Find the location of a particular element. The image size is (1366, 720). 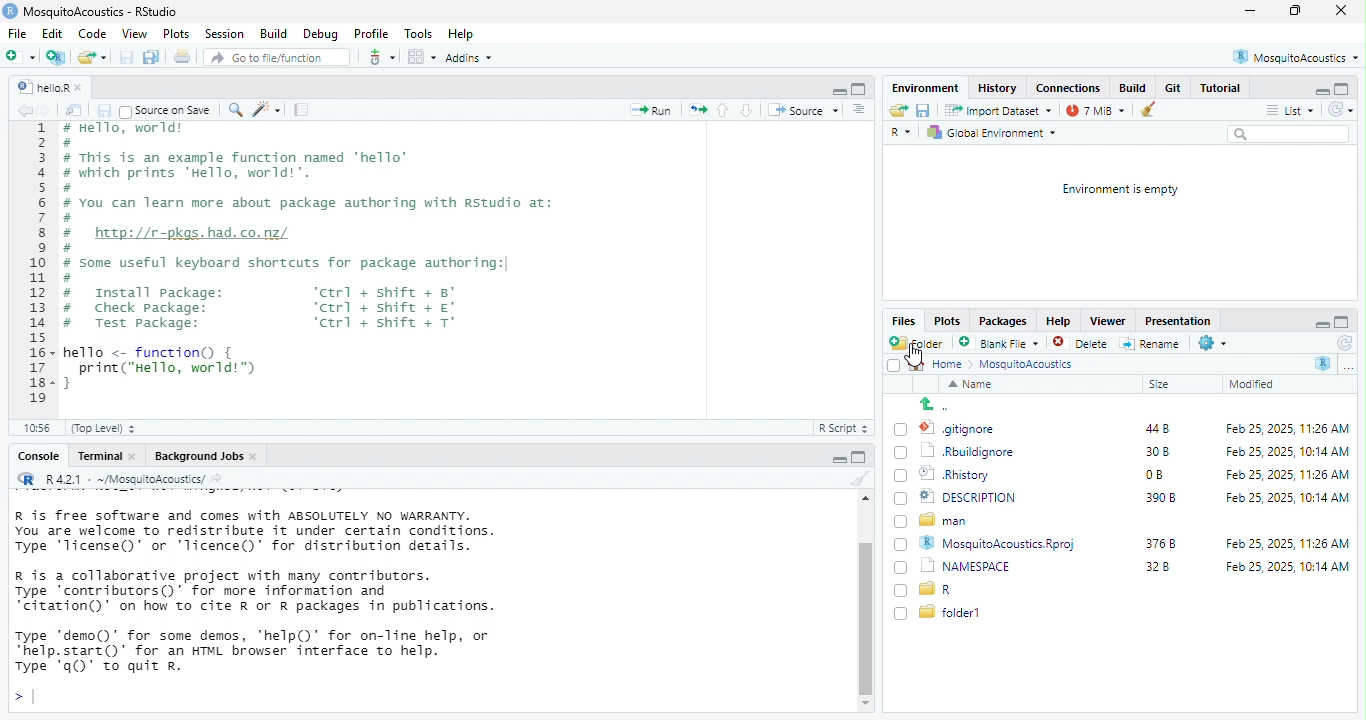

maka Bel
 #

 # This is an example function named ‘hello’

 # which prints ‘Hello, world!".

5 #

5 # You can learn more about package authoring with Rstudio at:
a

3 #  http://r-pkgs.had.co.nz/

) #

) # some useful keyboard shortcuts for package authoring:|

Lo.

 # Install package: ‘ctrl + shift + 8’

3 # Check package: ‘ctrl + shift + €'

 # Test package: ‘ctrl + shift + T°

]

5+ hello <- function() {

~~ print("Hello, world!™)

3+} is located at coordinates (339, 258).